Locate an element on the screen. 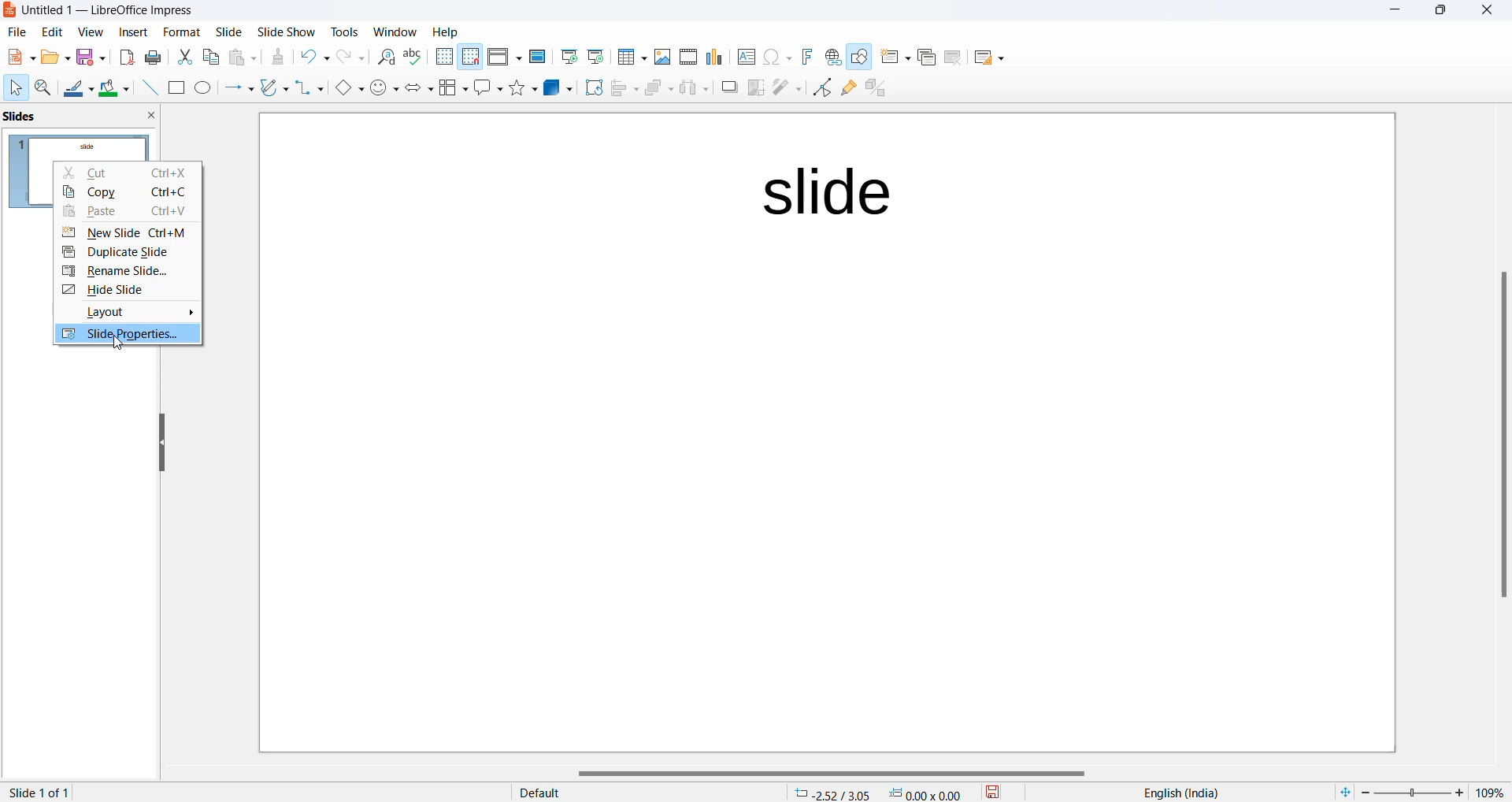 Image resolution: width=1512 pixels, height=802 pixels. crop image is located at coordinates (757, 87).